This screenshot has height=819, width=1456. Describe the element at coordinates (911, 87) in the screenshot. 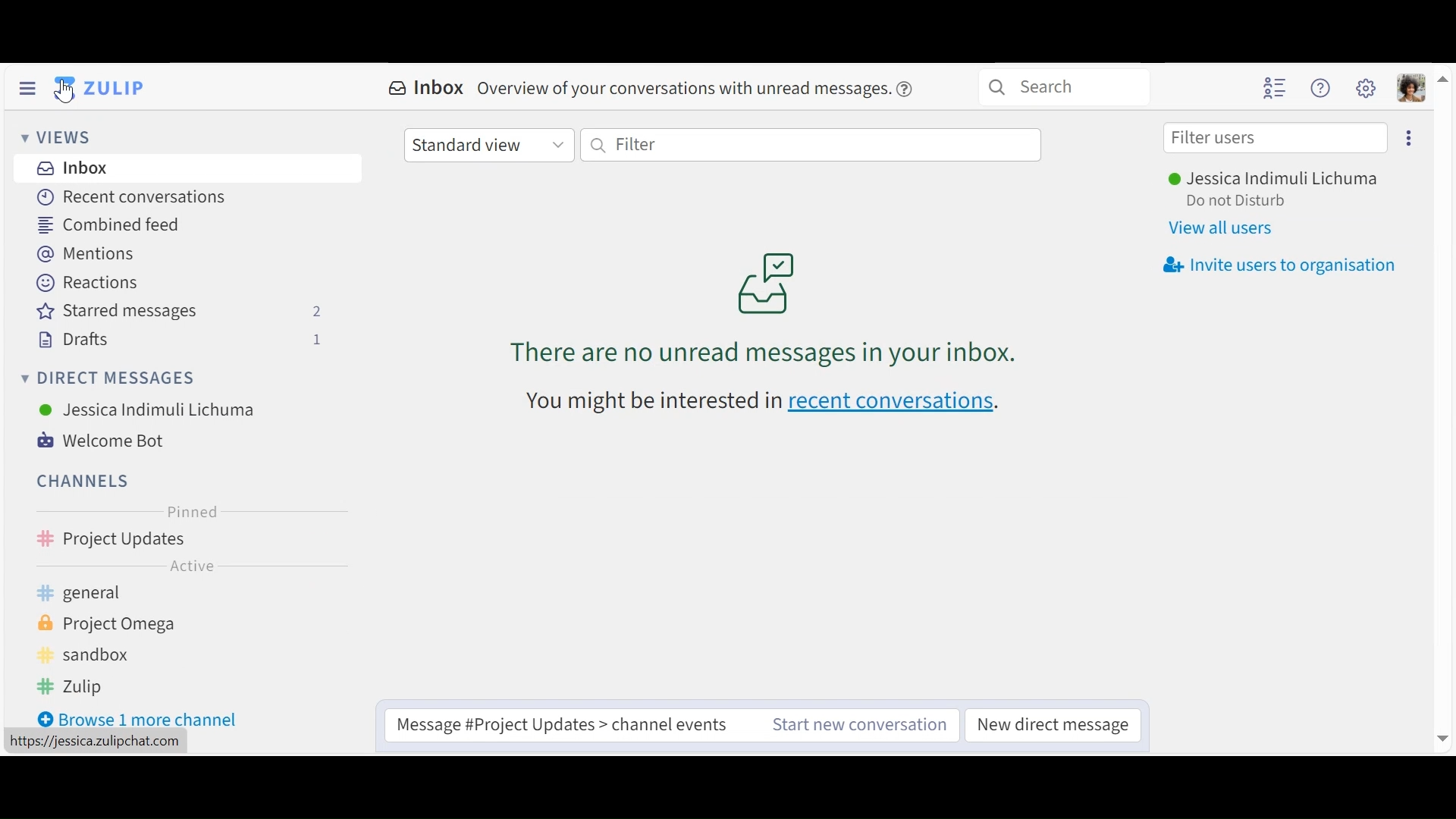

I see `help` at that location.